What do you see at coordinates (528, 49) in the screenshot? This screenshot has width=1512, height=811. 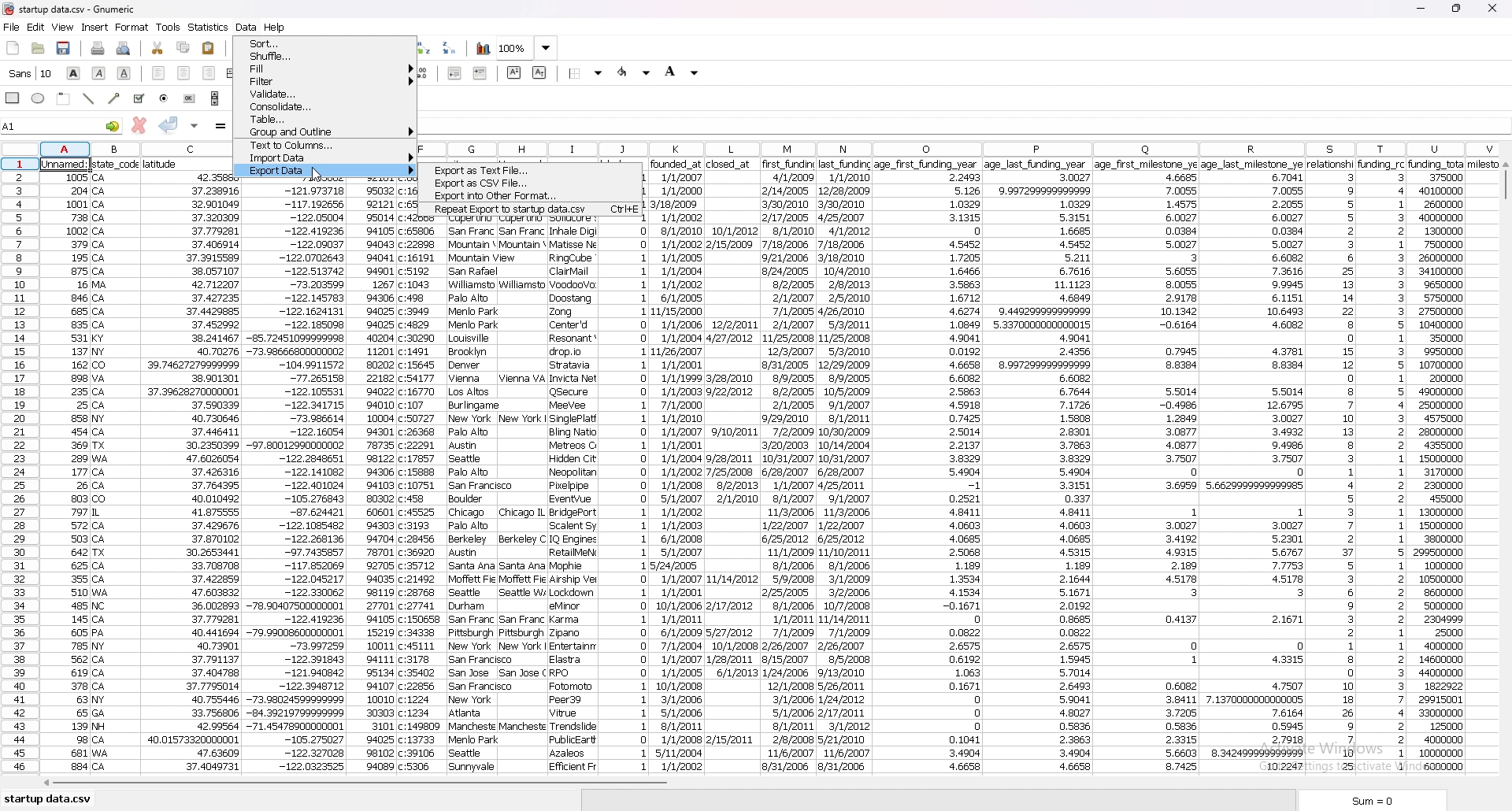 I see `zoom` at bounding box center [528, 49].